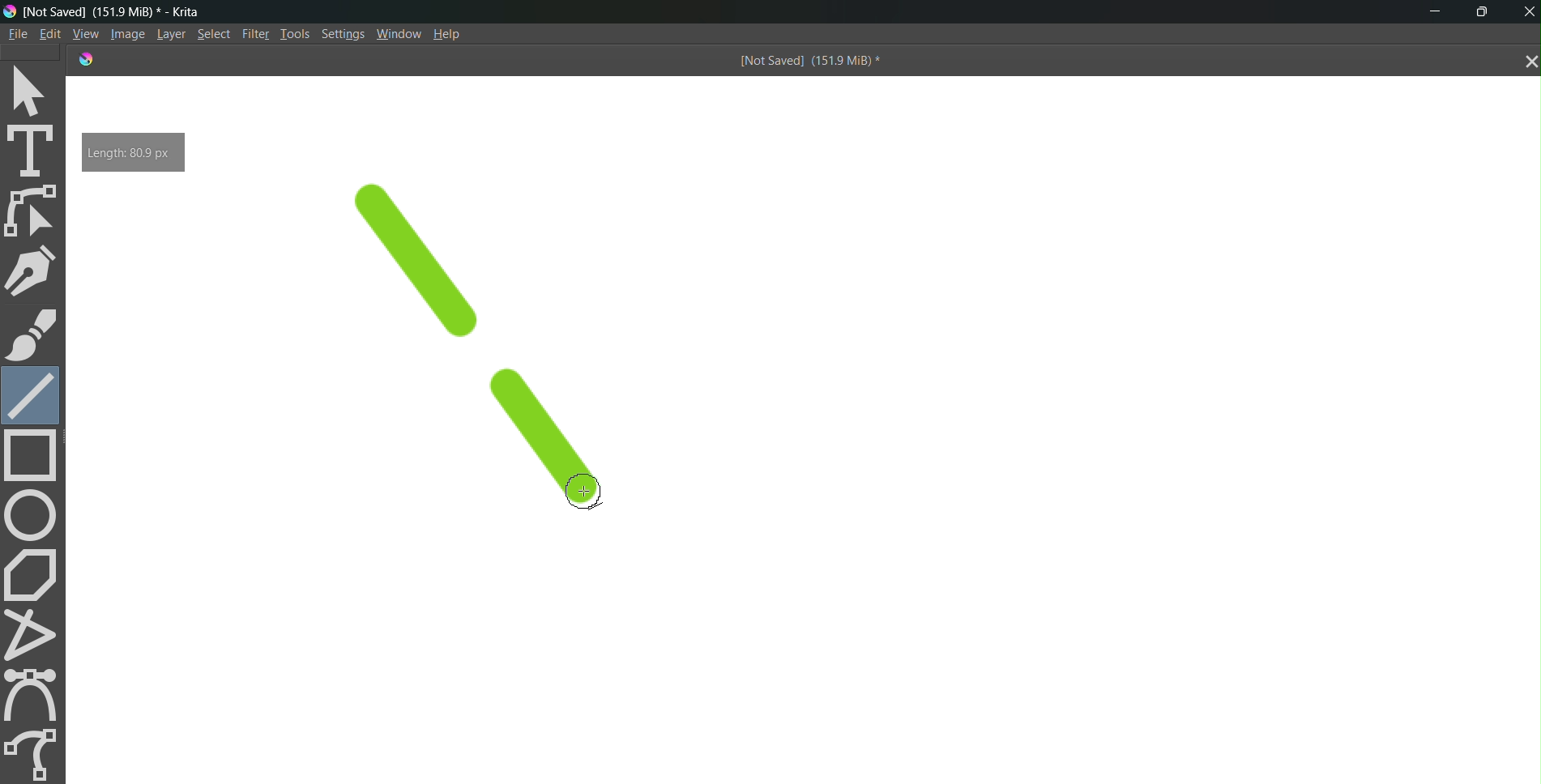 The width and height of the screenshot is (1541, 784). Describe the element at coordinates (536, 450) in the screenshot. I see `line` at that location.